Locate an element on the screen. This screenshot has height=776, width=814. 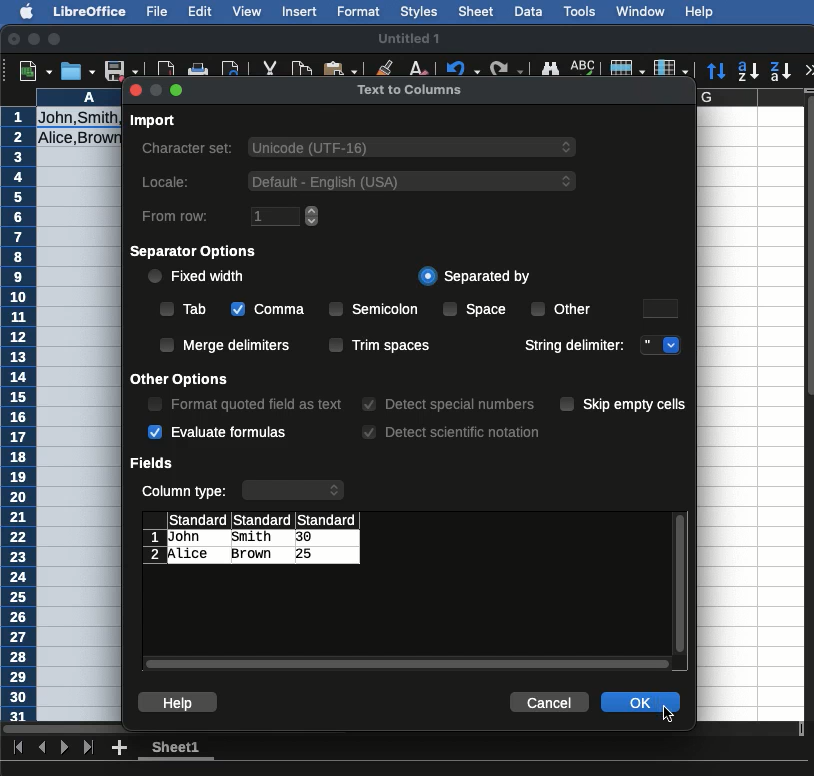
New is located at coordinates (35, 69).